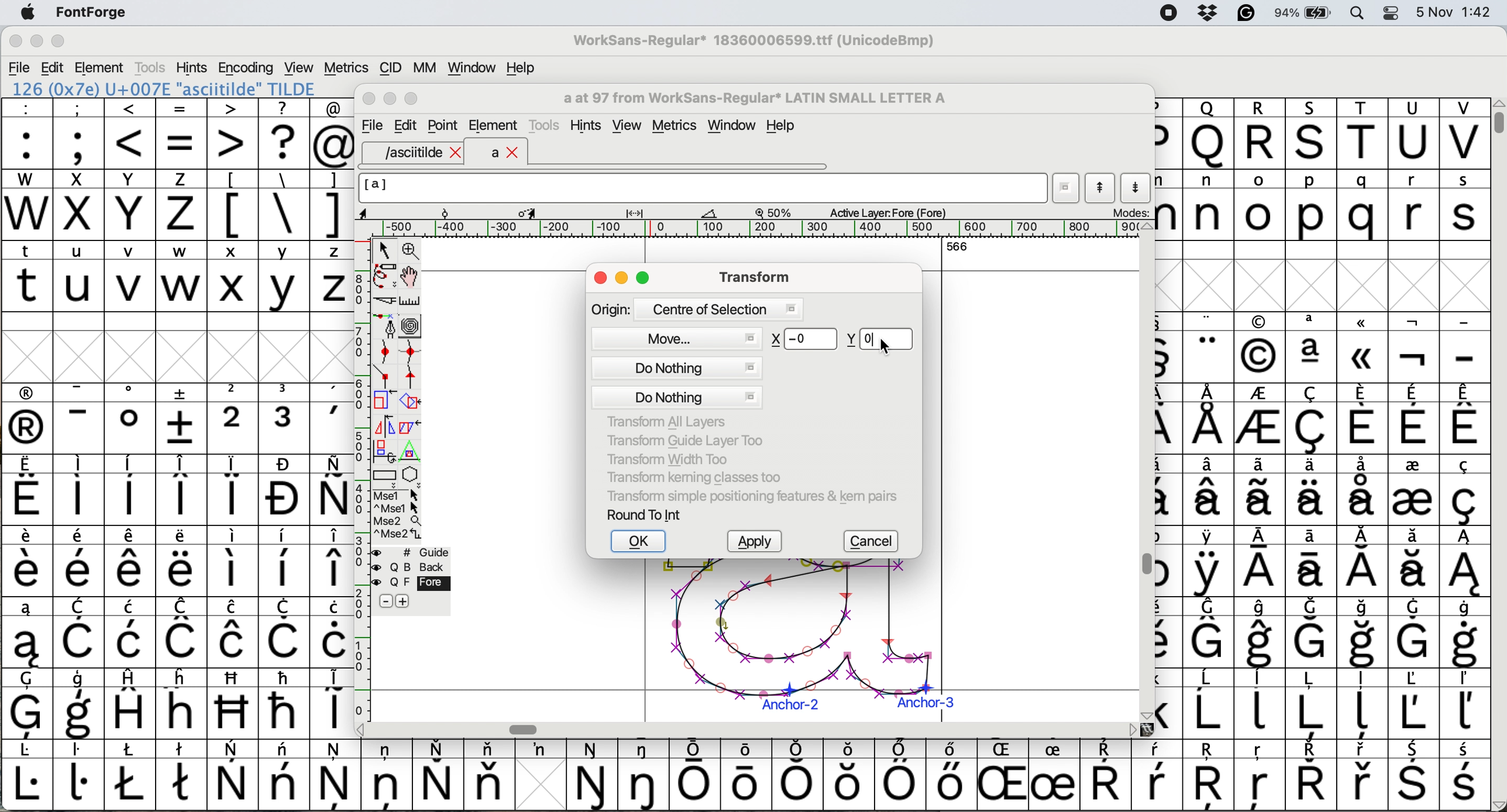 This screenshot has height=812, width=1507. I want to click on maximise, so click(59, 44).